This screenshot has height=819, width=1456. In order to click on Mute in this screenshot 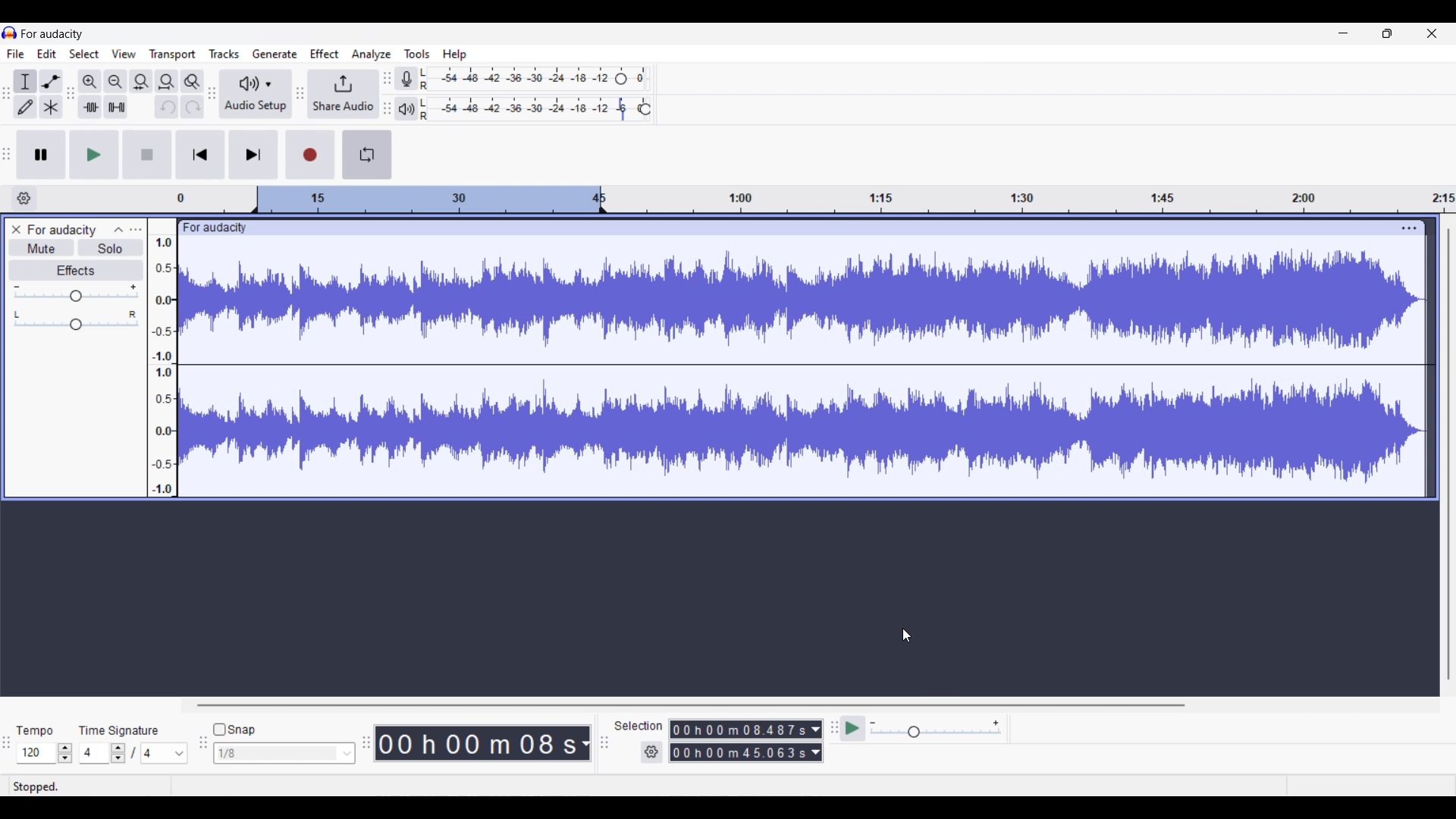, I will do `click(42, 247)`.